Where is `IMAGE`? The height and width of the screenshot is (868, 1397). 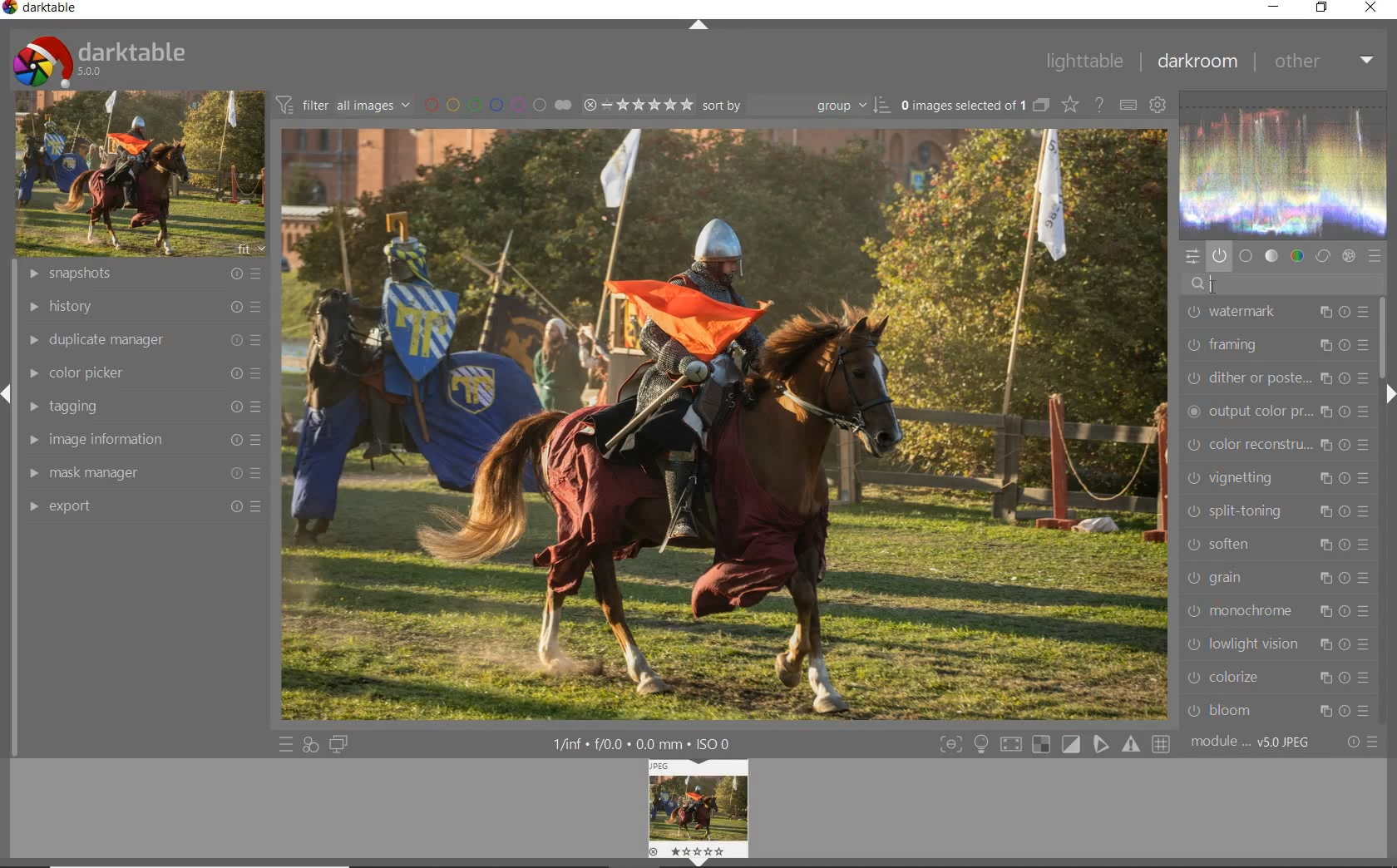 IMAGE is located at coordinates (697, 813).